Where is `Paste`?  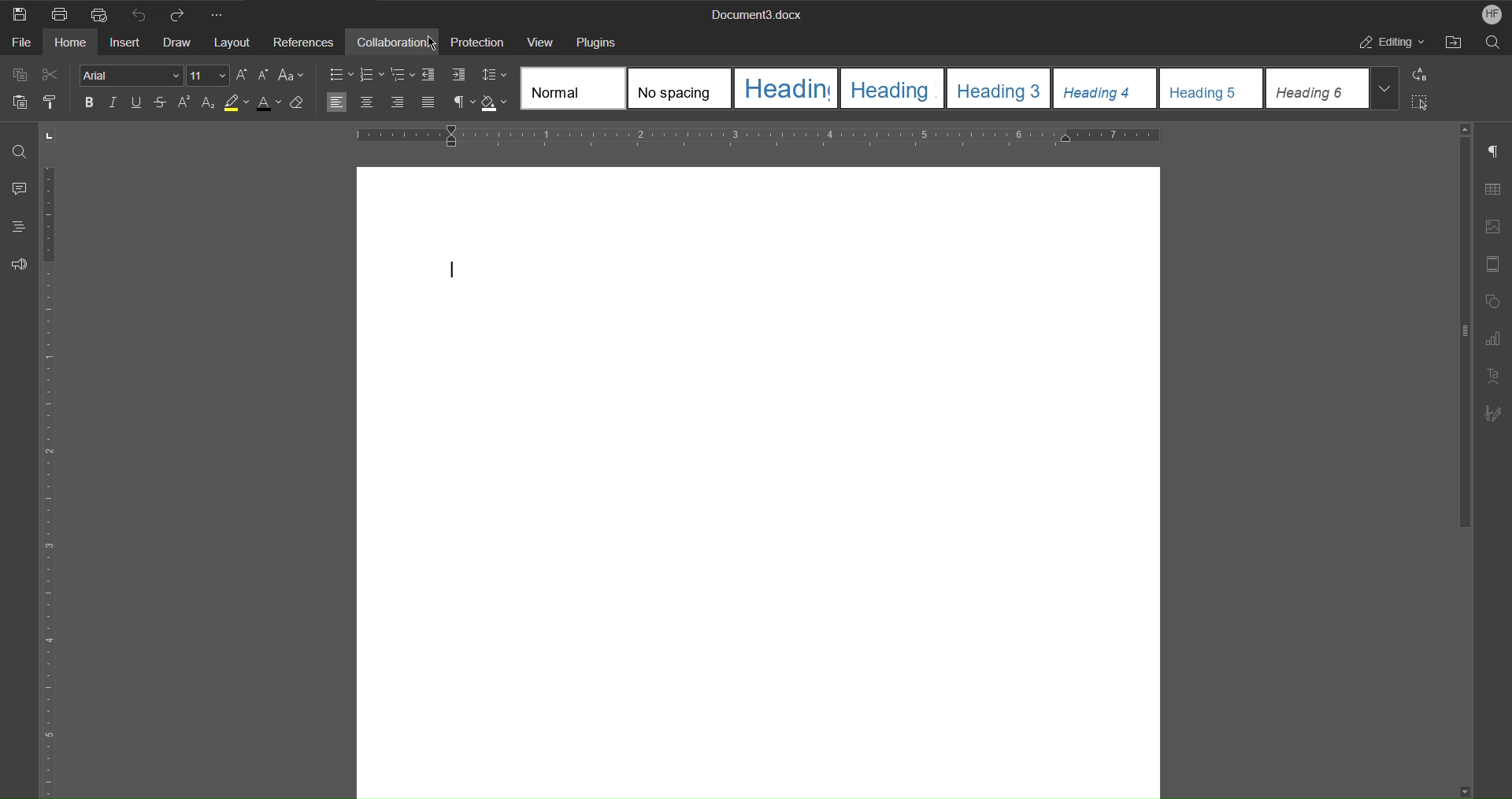
Paste is located at coordinates (22, 102).